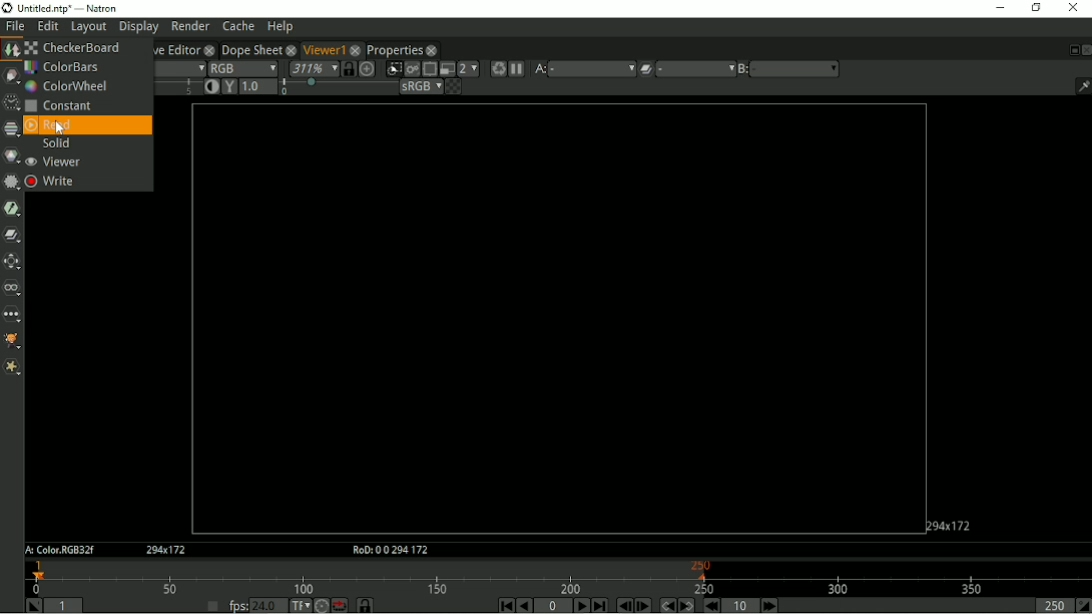 The image size is (1092, 614). Describe the element at coordinates (239, 25) in the screenshot. I see `Cache` at that location.